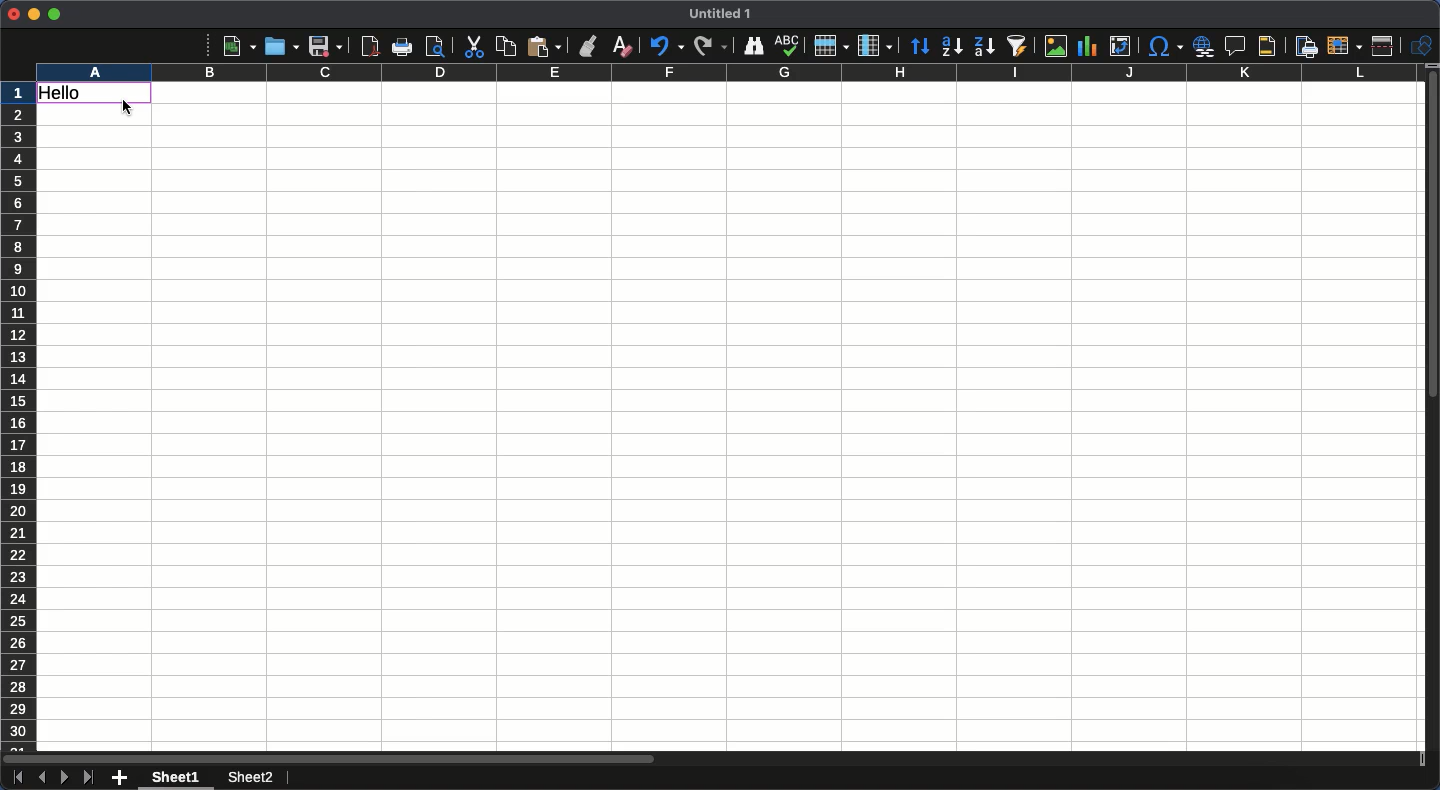  Describe the element at coordinates (787, 46) in the screenshot. I see `Spelling` at that location.